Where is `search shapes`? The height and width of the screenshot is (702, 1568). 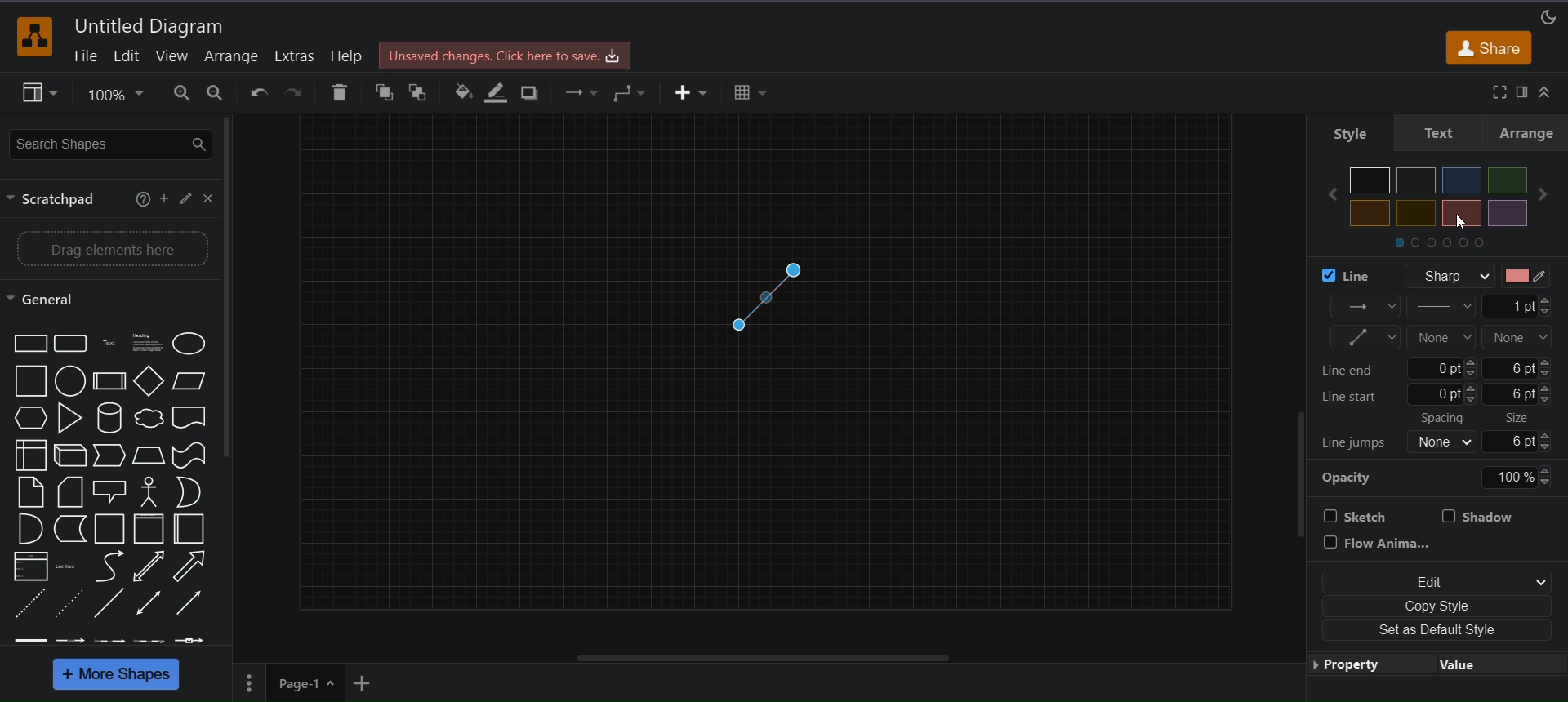 search shapes is located at coordinates (110, 144).